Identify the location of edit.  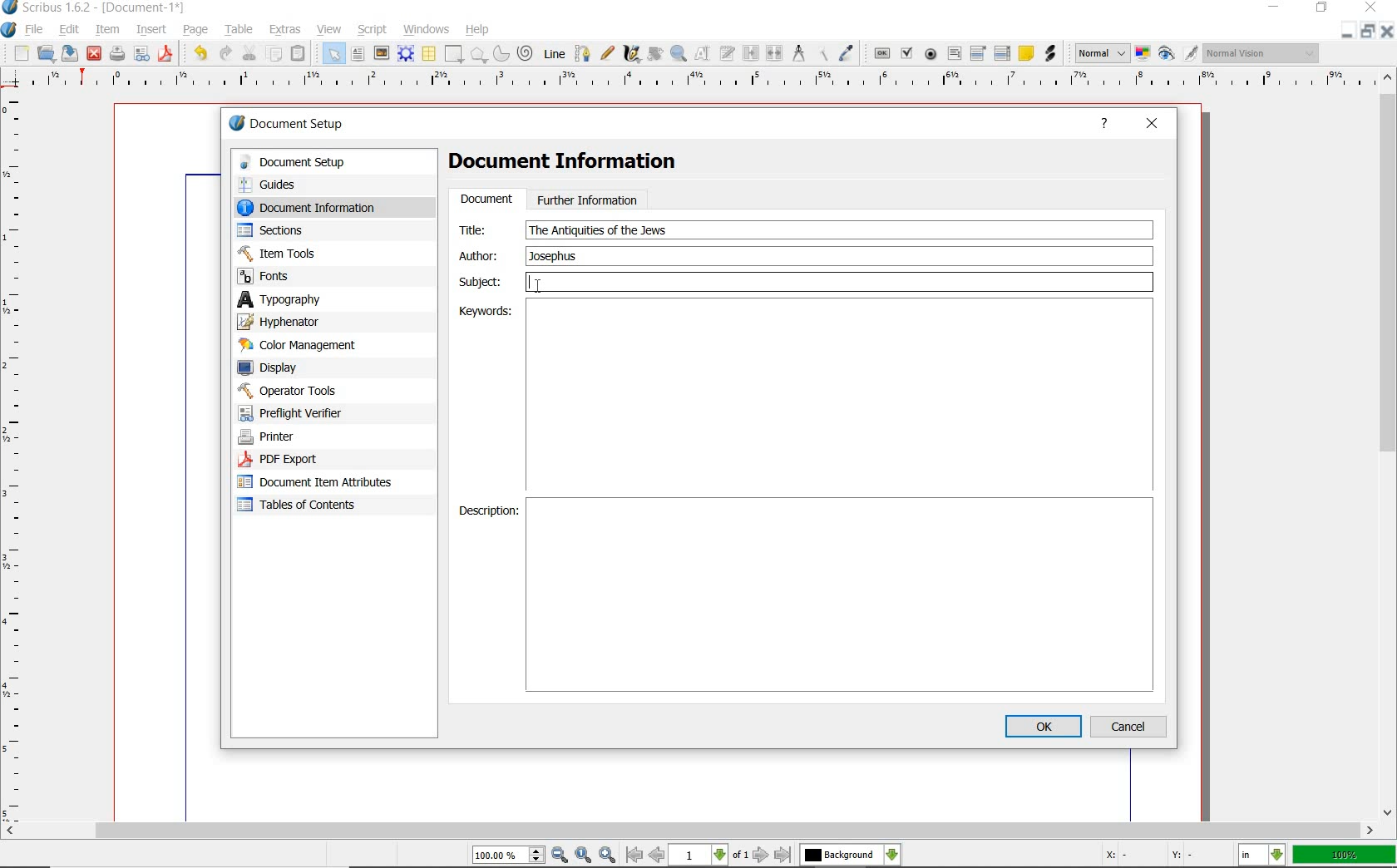
(70, 29).